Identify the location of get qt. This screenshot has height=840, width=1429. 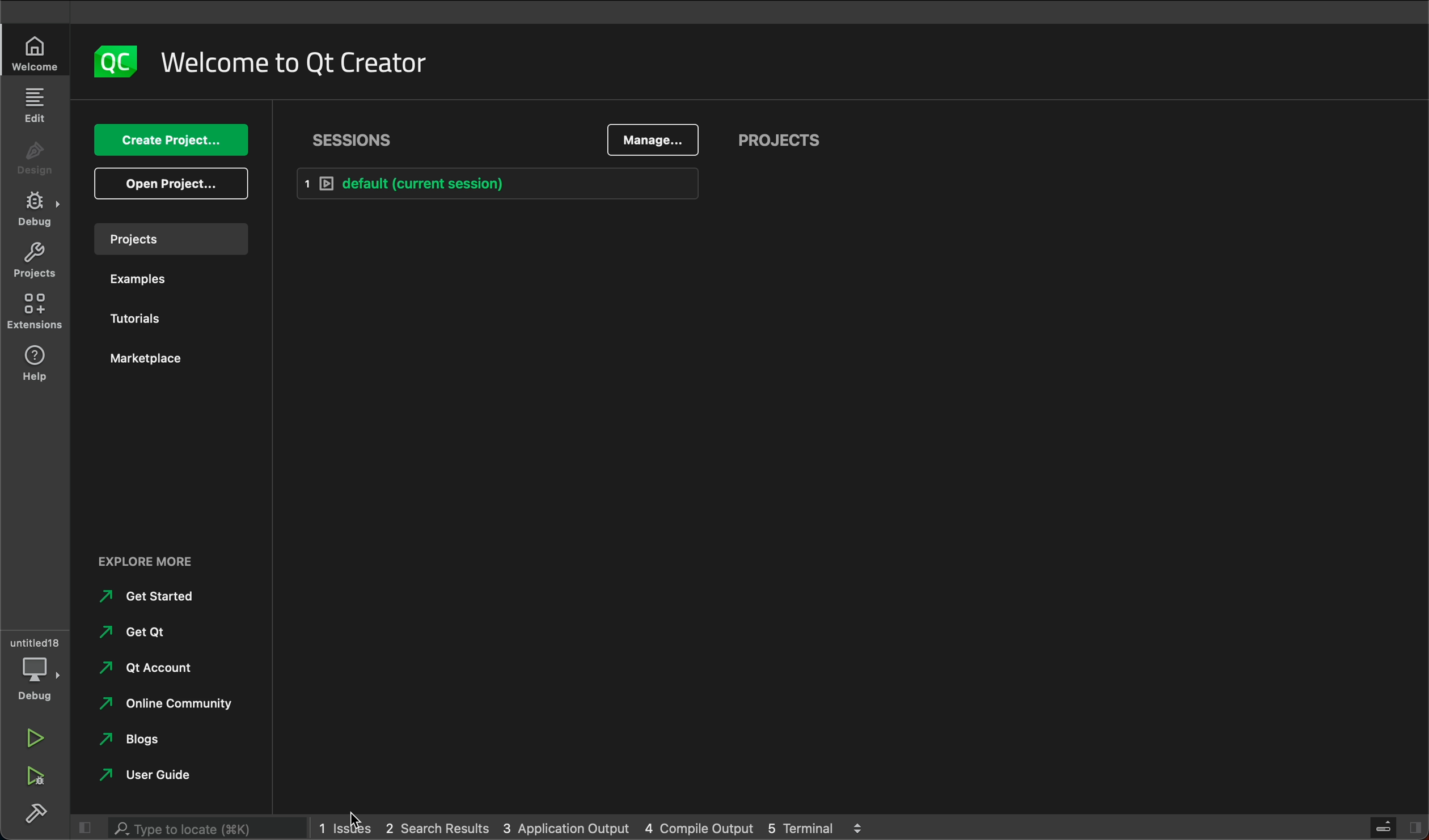
(145, 635).